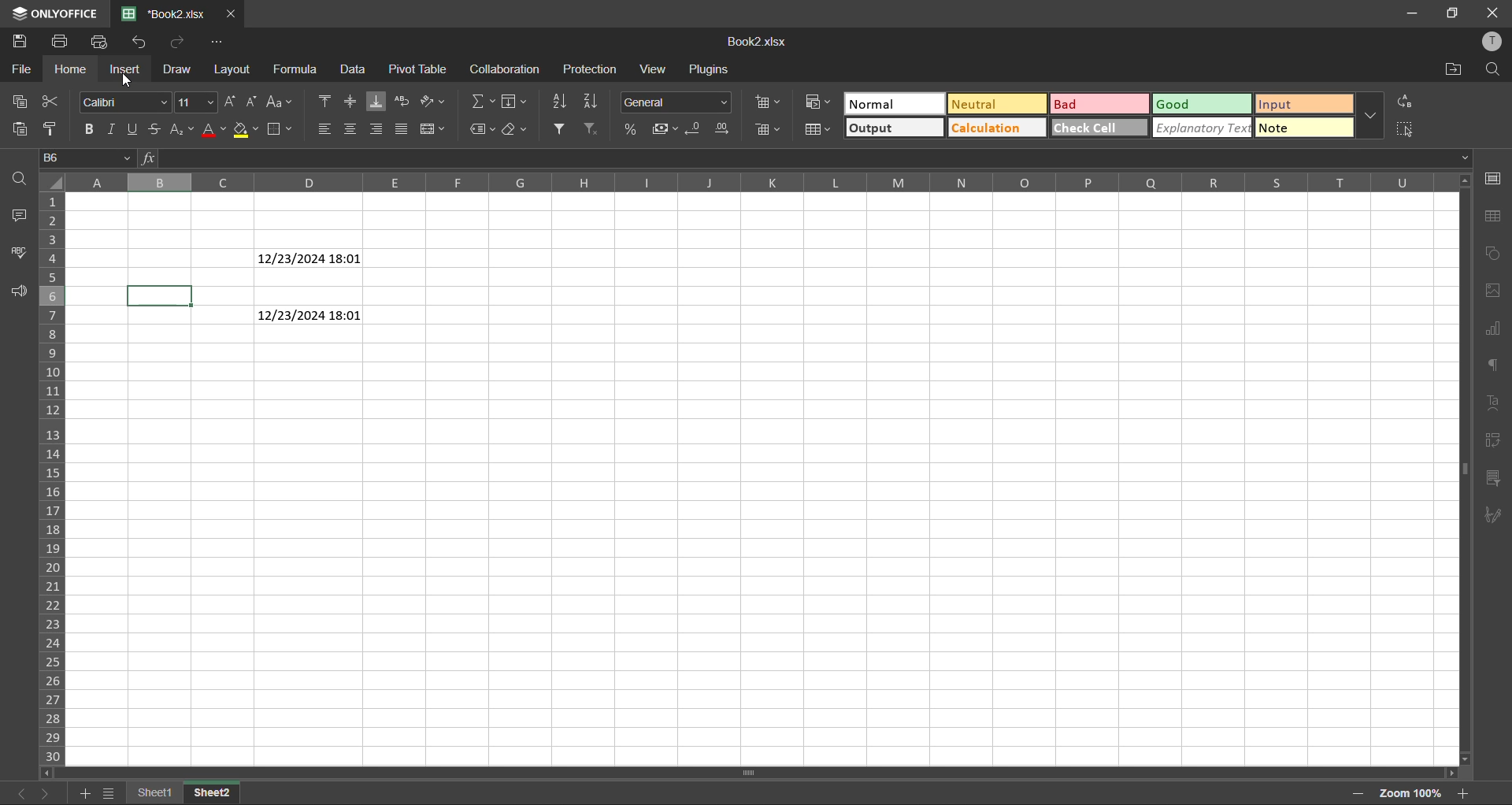  Describe the element at coordinates (104, 42) in the screenshot. I see `quick print` at that location.